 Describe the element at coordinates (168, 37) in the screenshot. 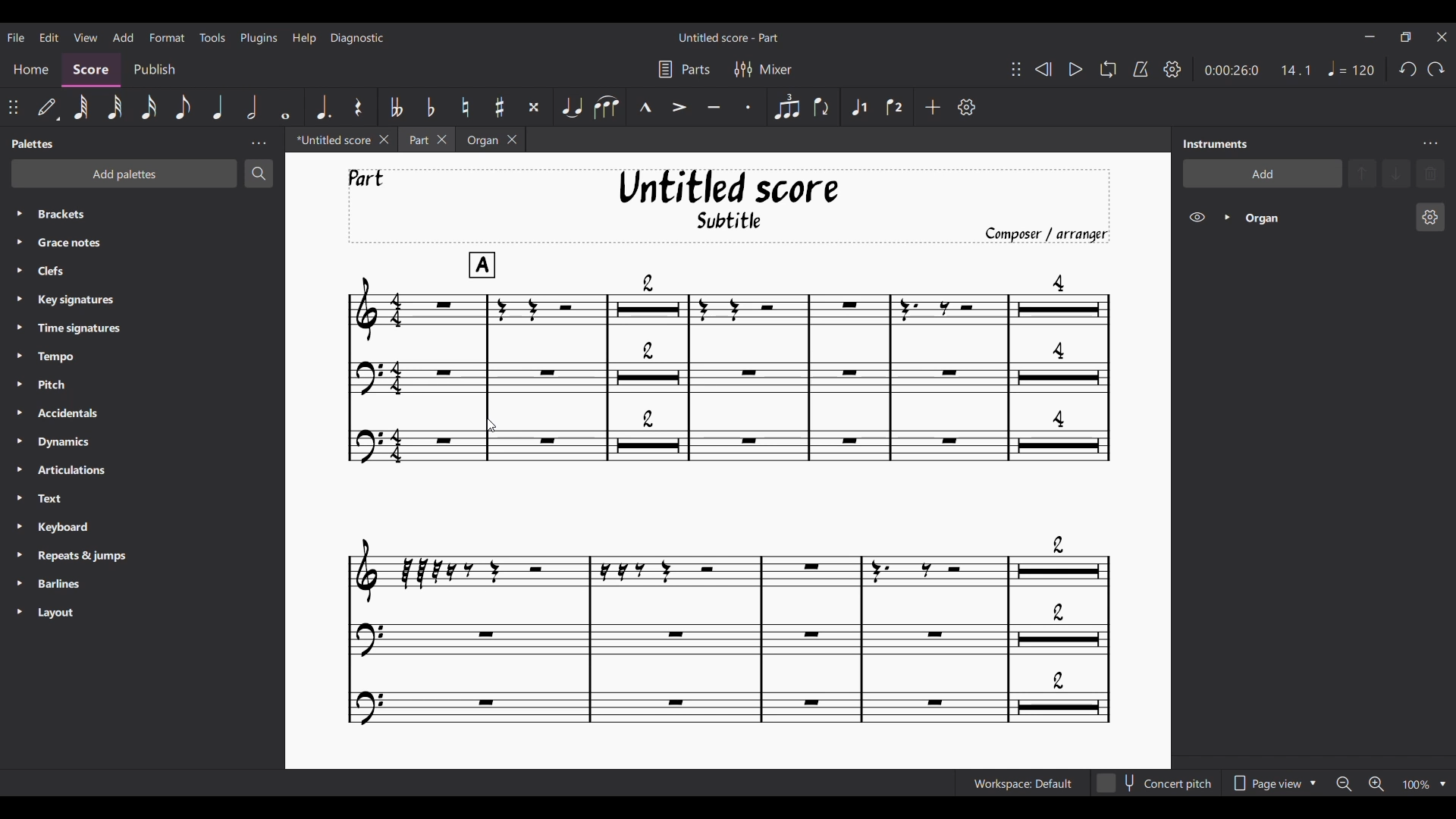

I see `Format menu` at that location.